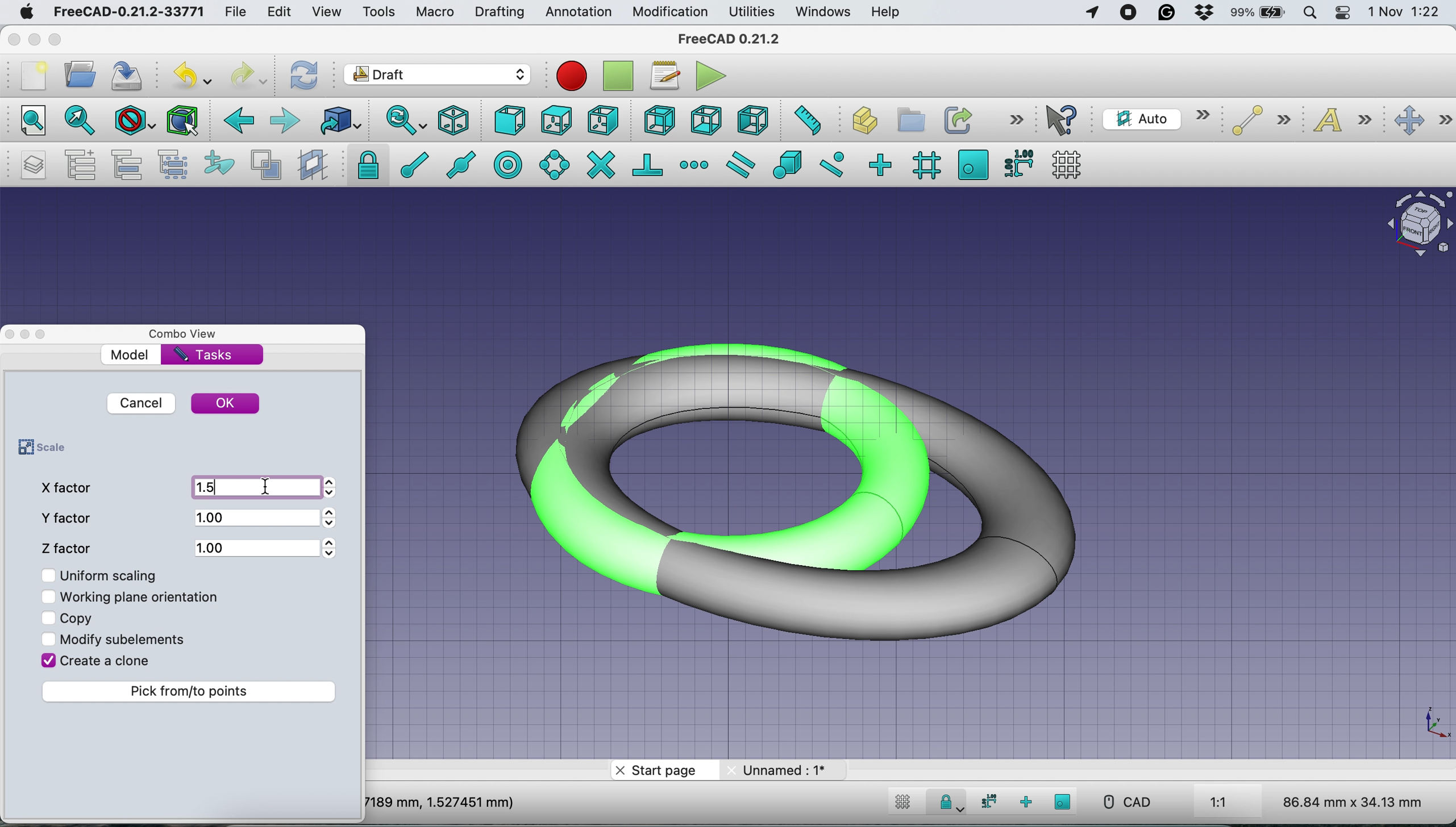  Describe the element at coordinates (1232, 803) in the screenshot. I see `1:1` at that location.